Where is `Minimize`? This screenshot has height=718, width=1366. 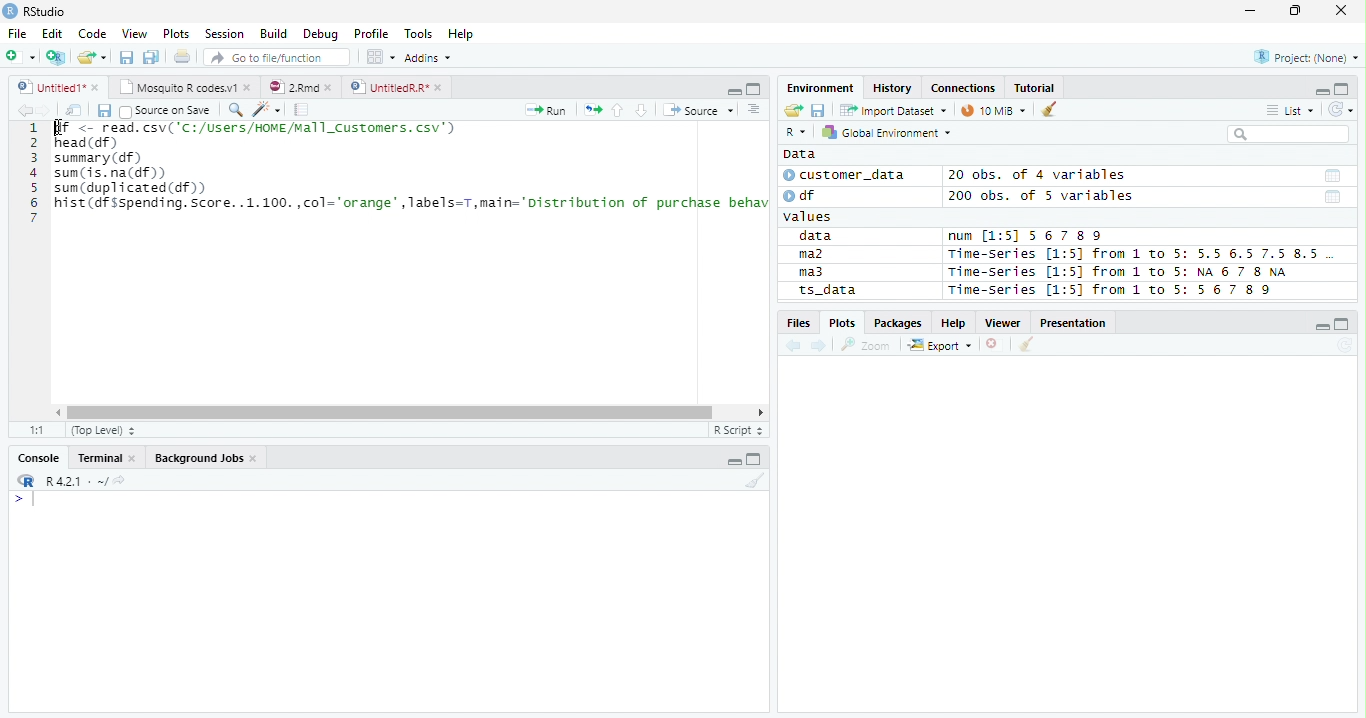
Minimize is located at coordinates (1323, 328).